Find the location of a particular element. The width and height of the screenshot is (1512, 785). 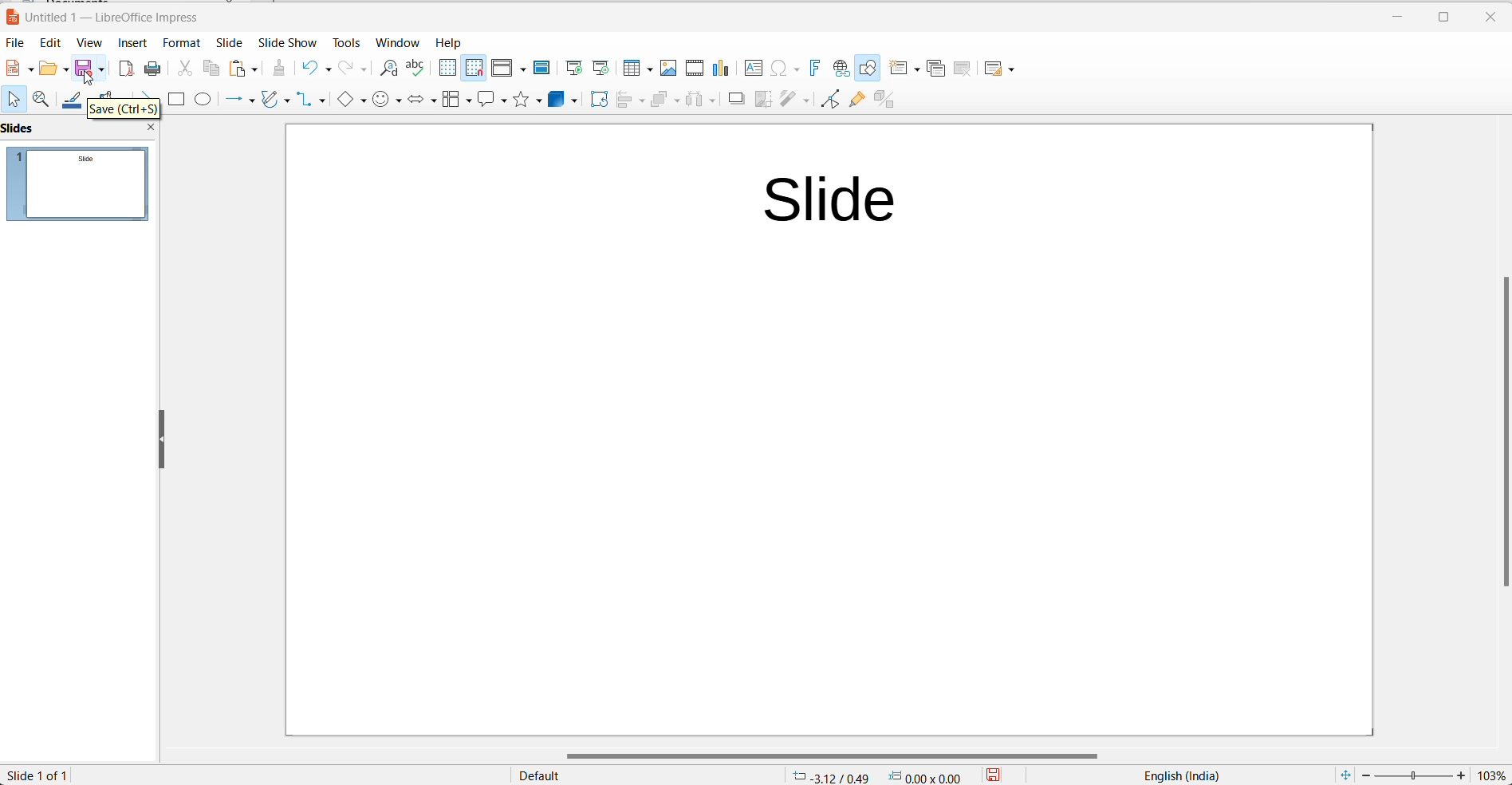

connectors is located at coordinates (312, 101).